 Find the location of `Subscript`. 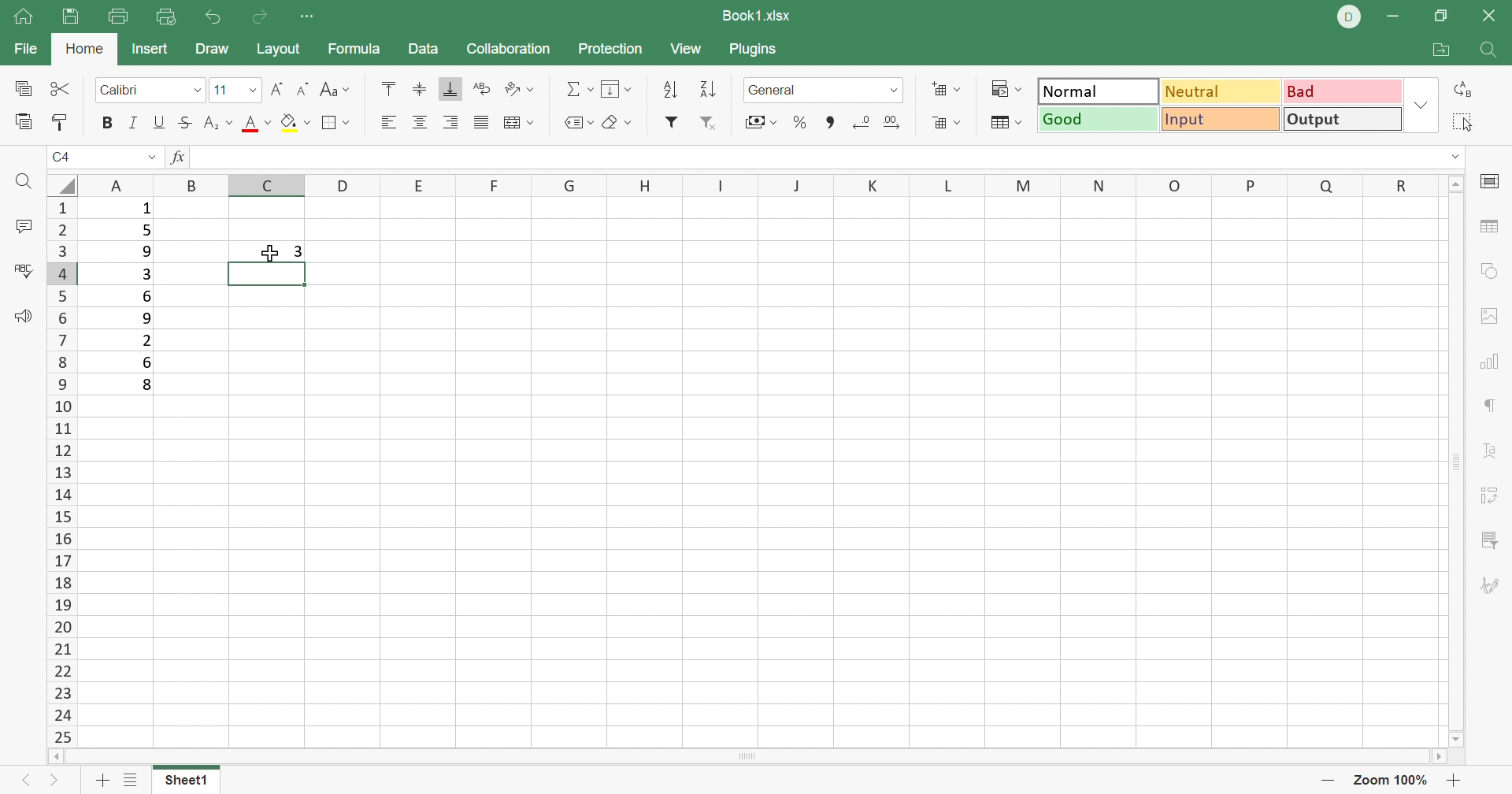

Subscript is located at coordinates (216, 124).